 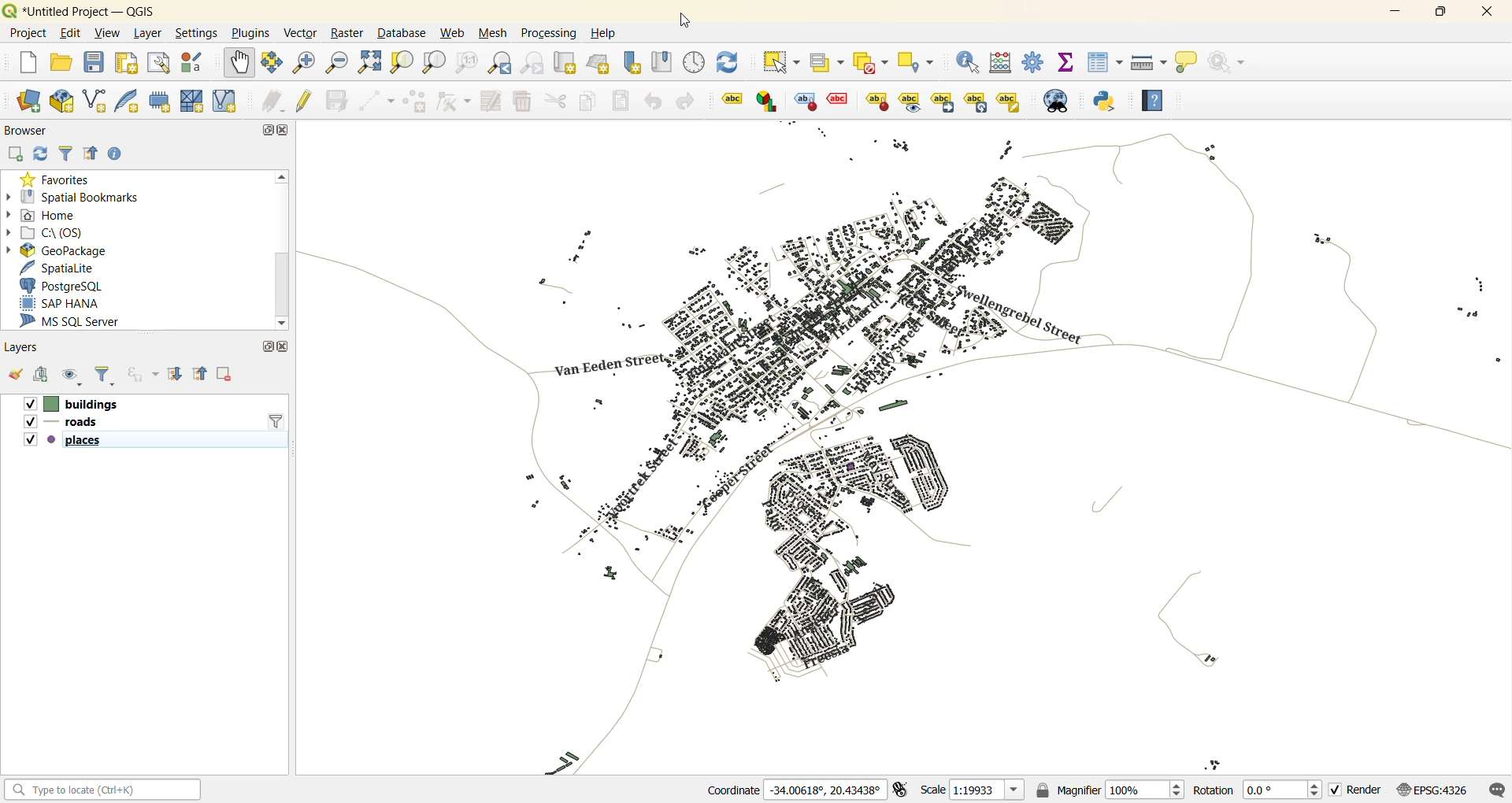 I want to click on style manager, so click(x=192, y=62).